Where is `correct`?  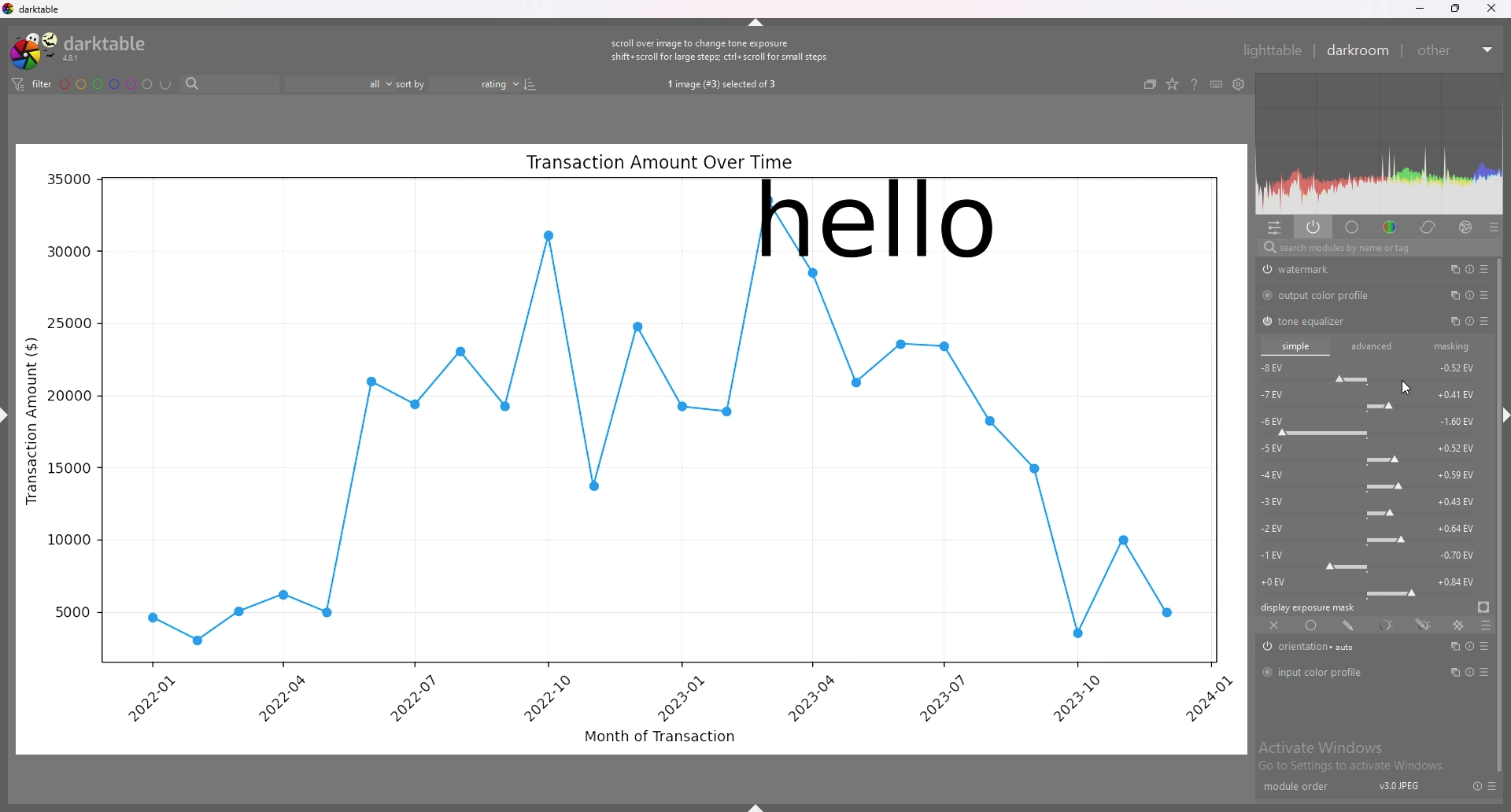
correct is located at coordinates (1429, 227).